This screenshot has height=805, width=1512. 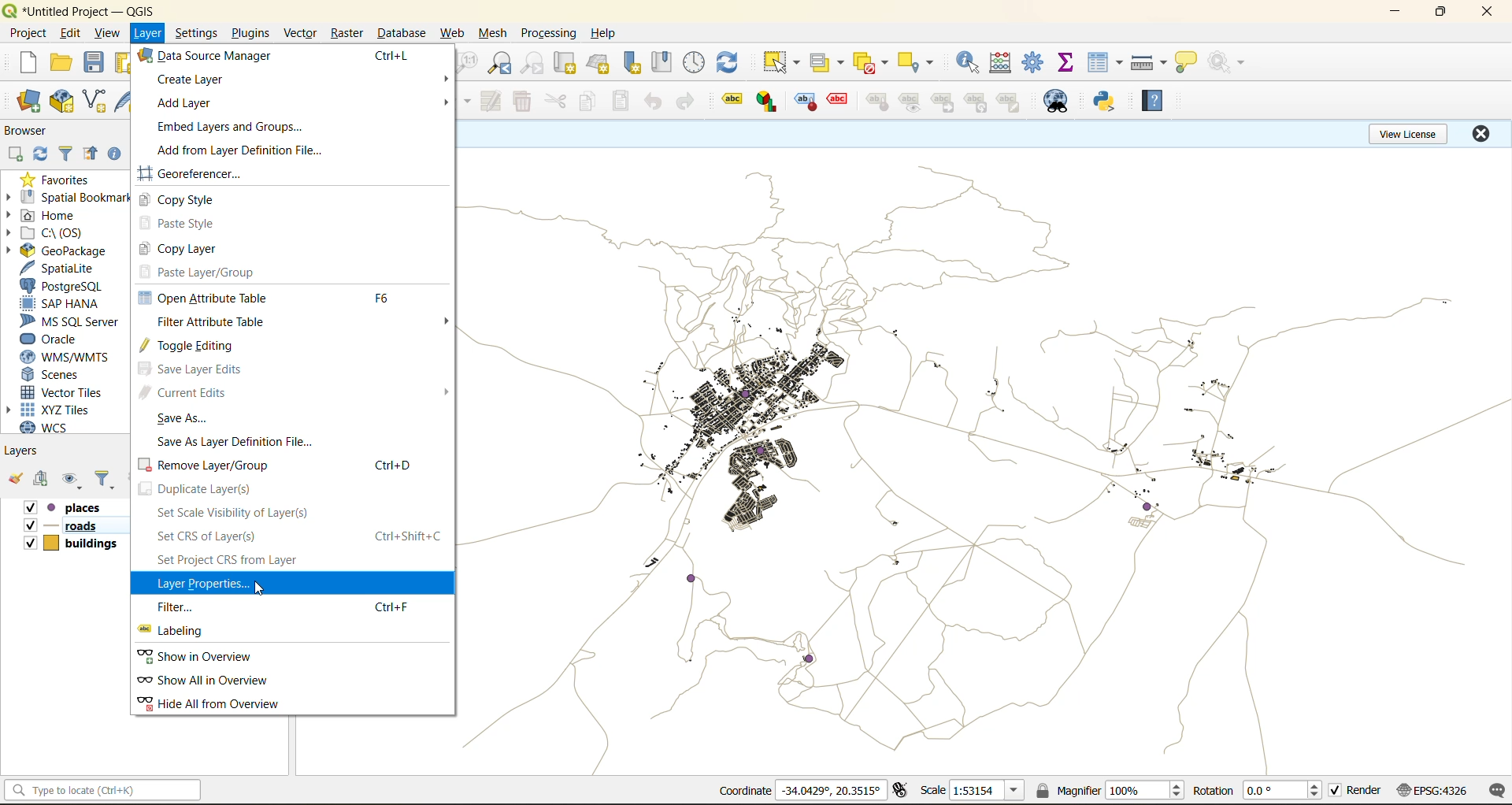 What do you see at coordinates (39, 480) in the screenshot?
I see `add` at bounding box center [39, 480].